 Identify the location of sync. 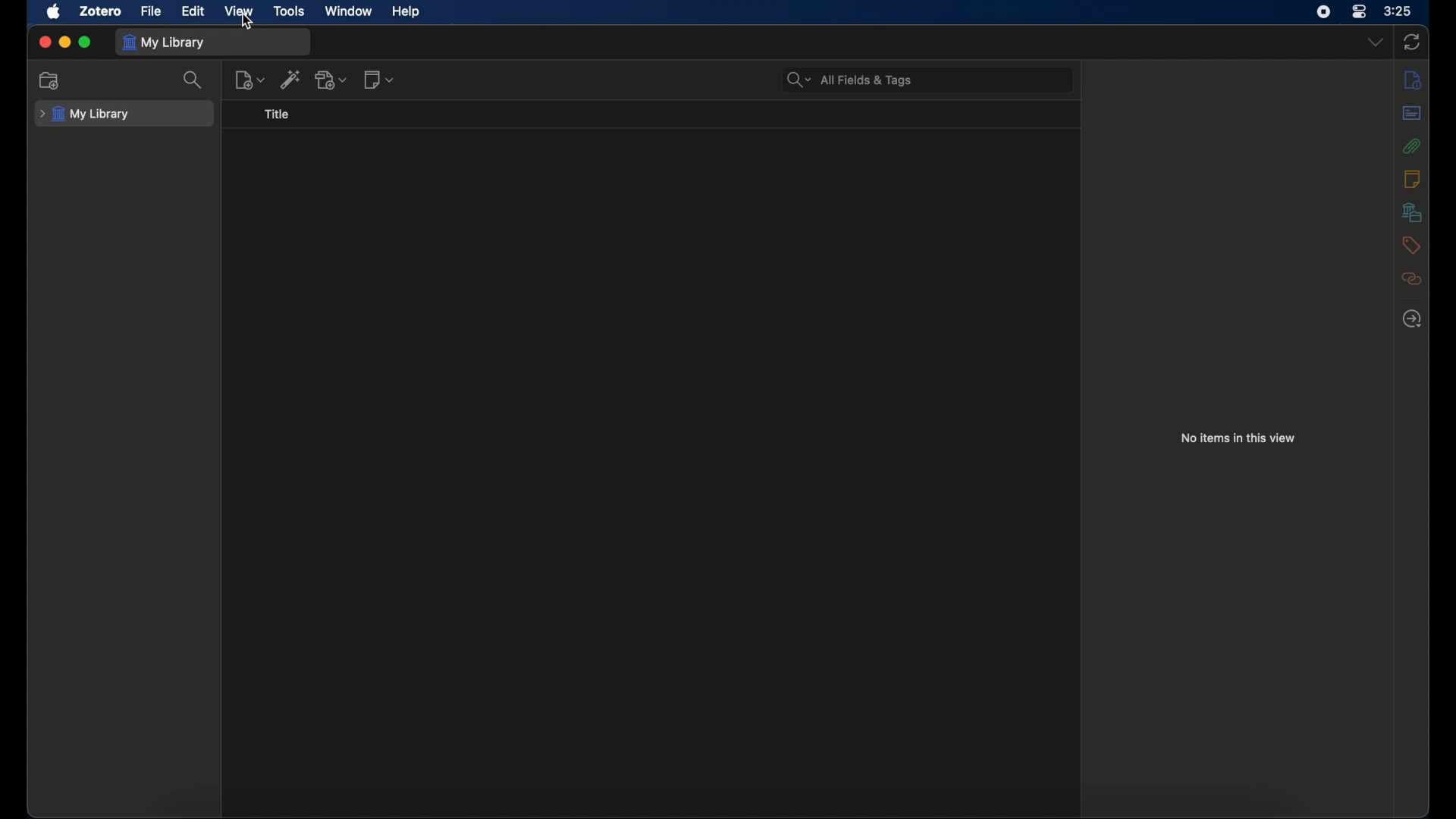
(1411, 42).